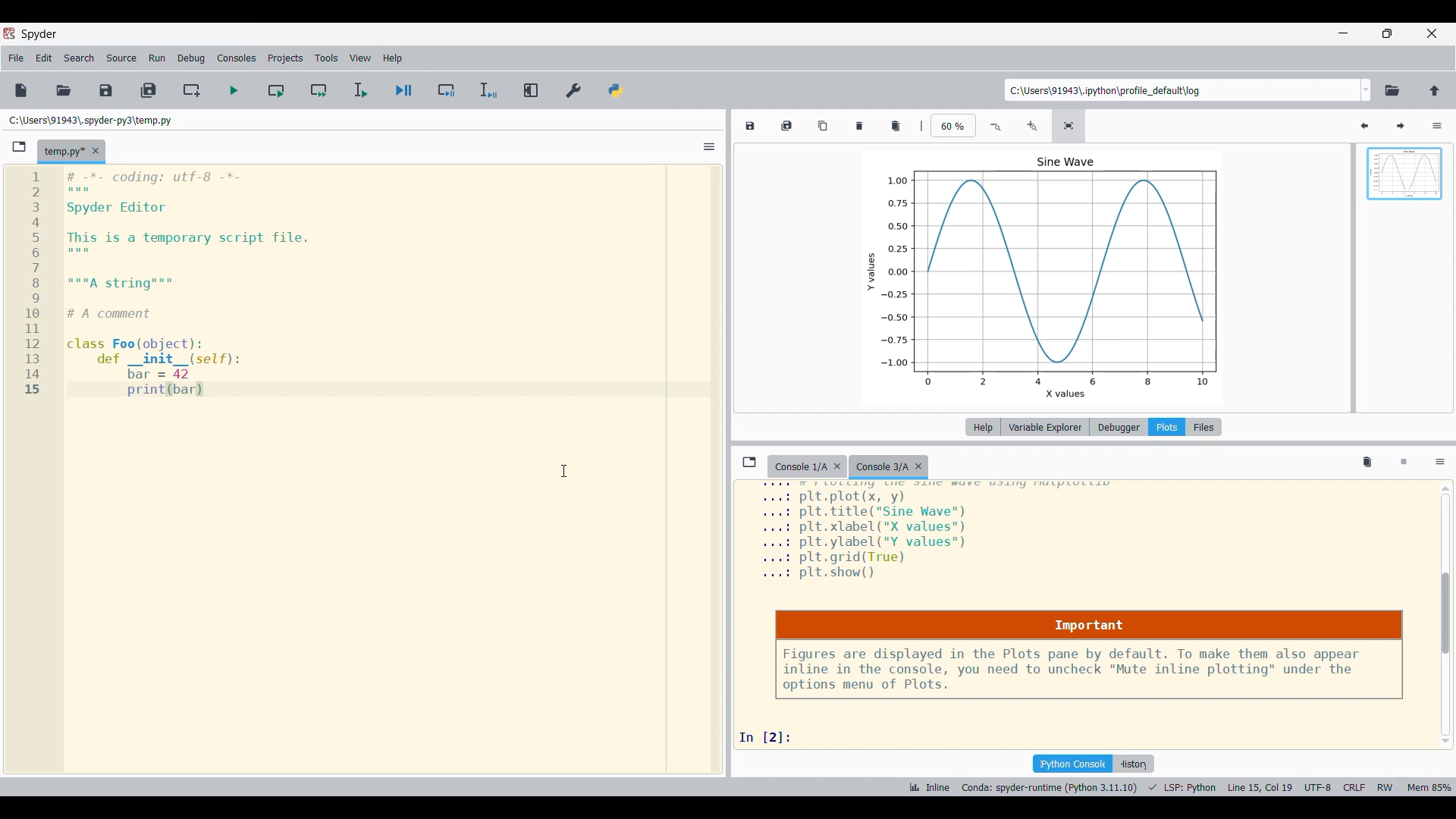 This screenshot has height=819, width=1456. What do you see at coordinates (1182, 90) in the screenshot?
I see `Enter location` at bounding box center [1182, 90].